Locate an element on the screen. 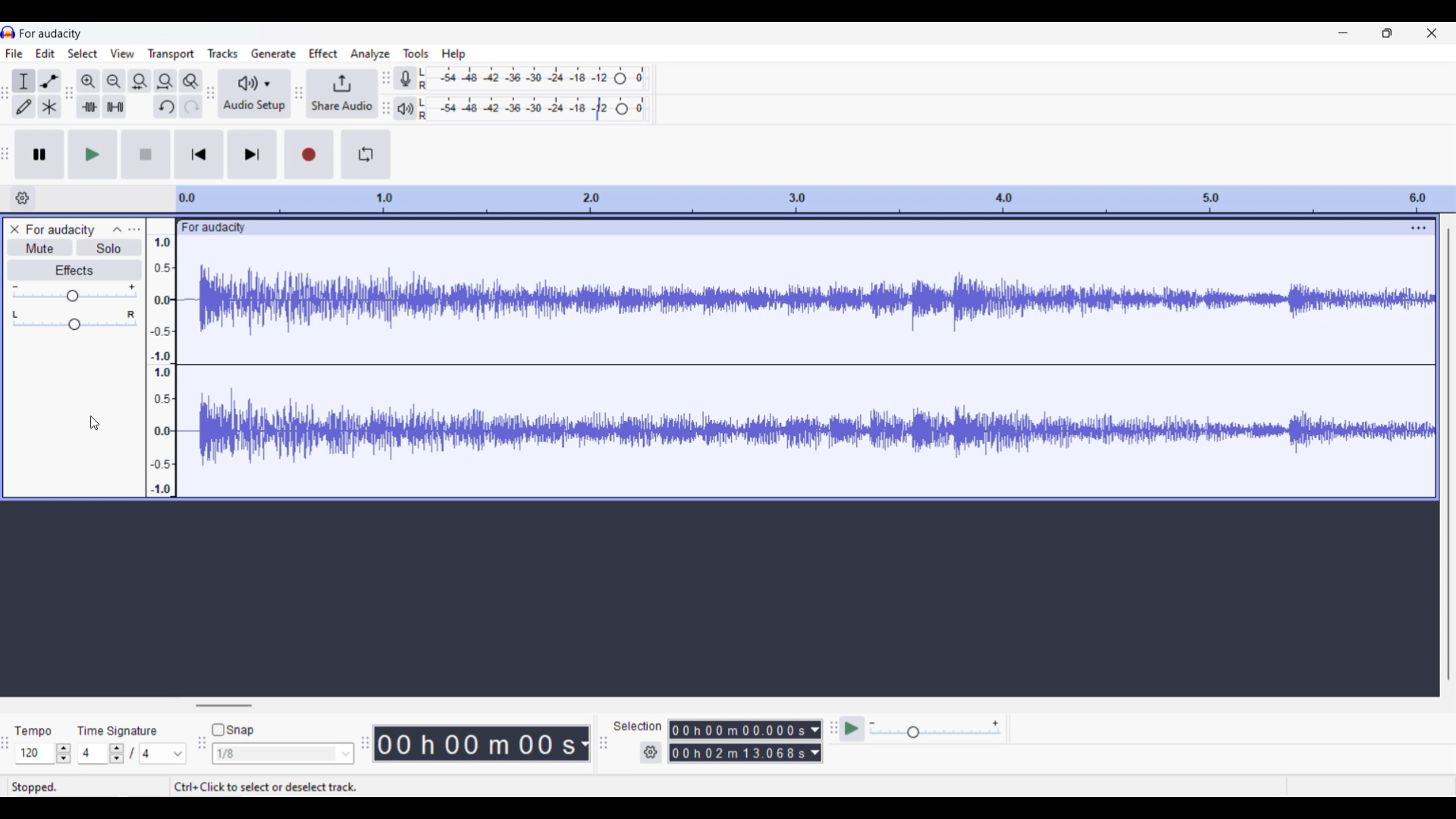  Tempo is located at coordinates (33, 731).